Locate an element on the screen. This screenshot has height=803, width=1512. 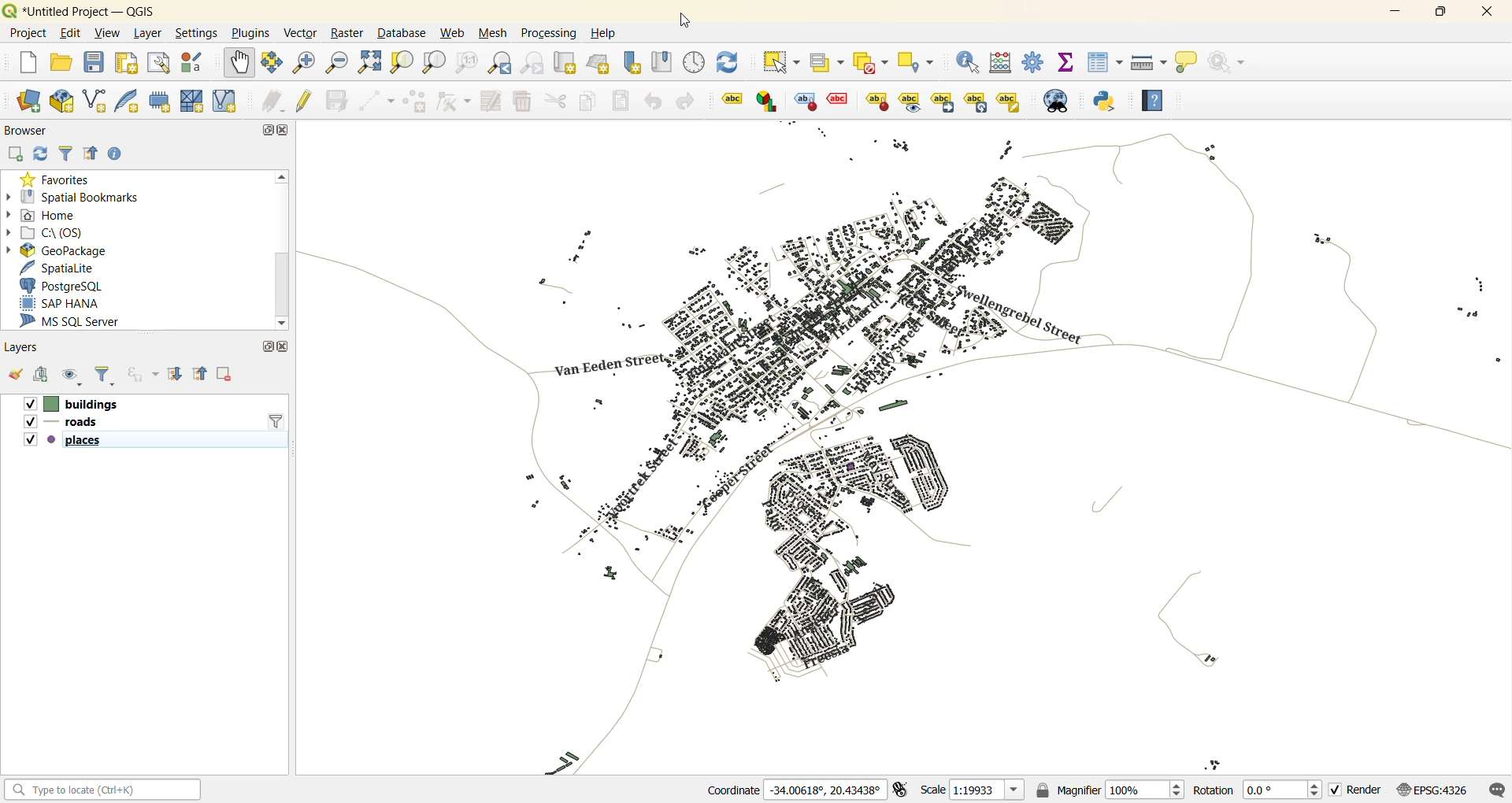
open is located at coordinates (15, 373).